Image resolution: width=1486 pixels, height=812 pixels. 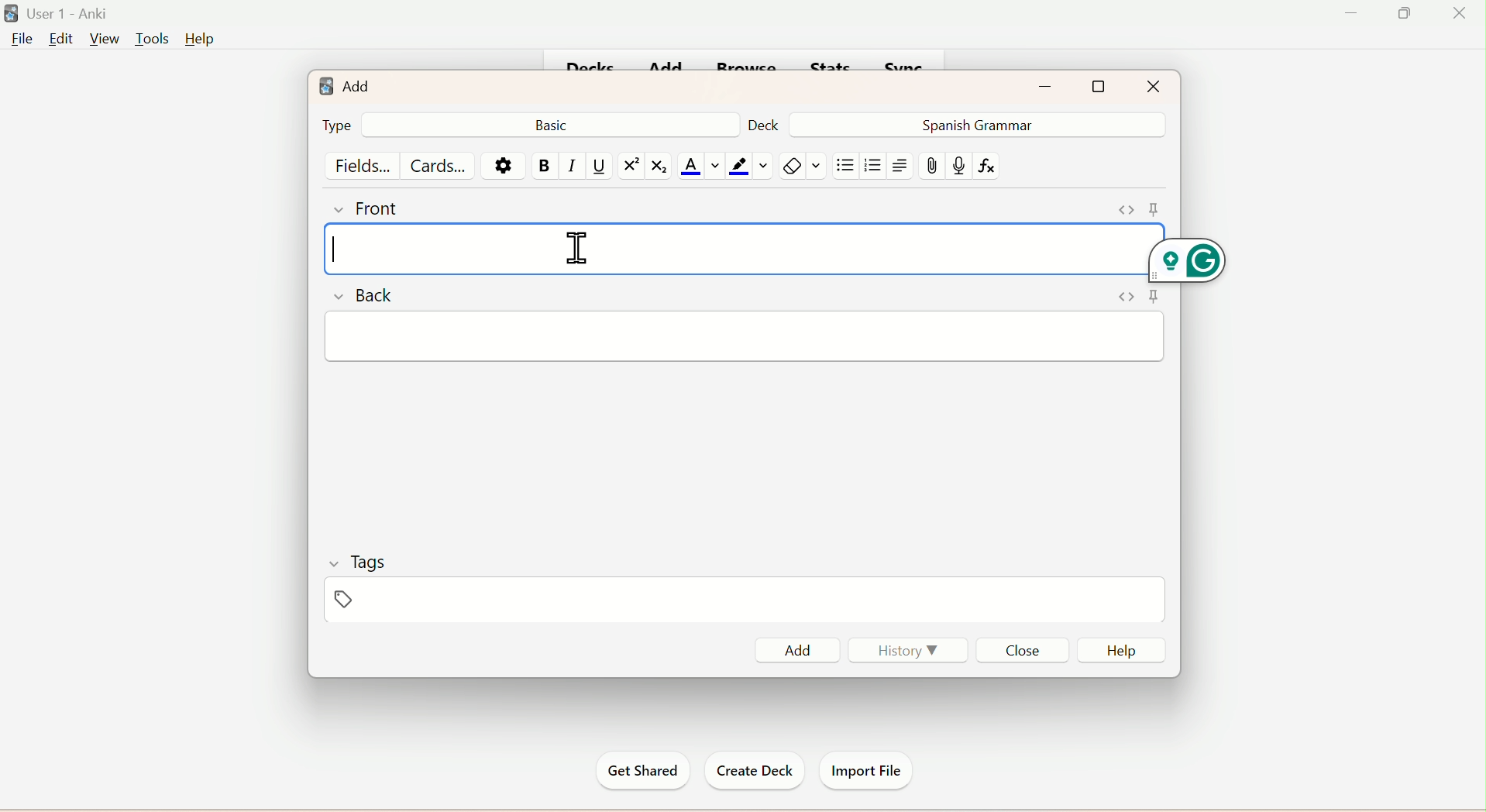 What do you see at coordinates (573, 166) in the screenshot?
I see `Italiac` at bounding box center [573, 166].